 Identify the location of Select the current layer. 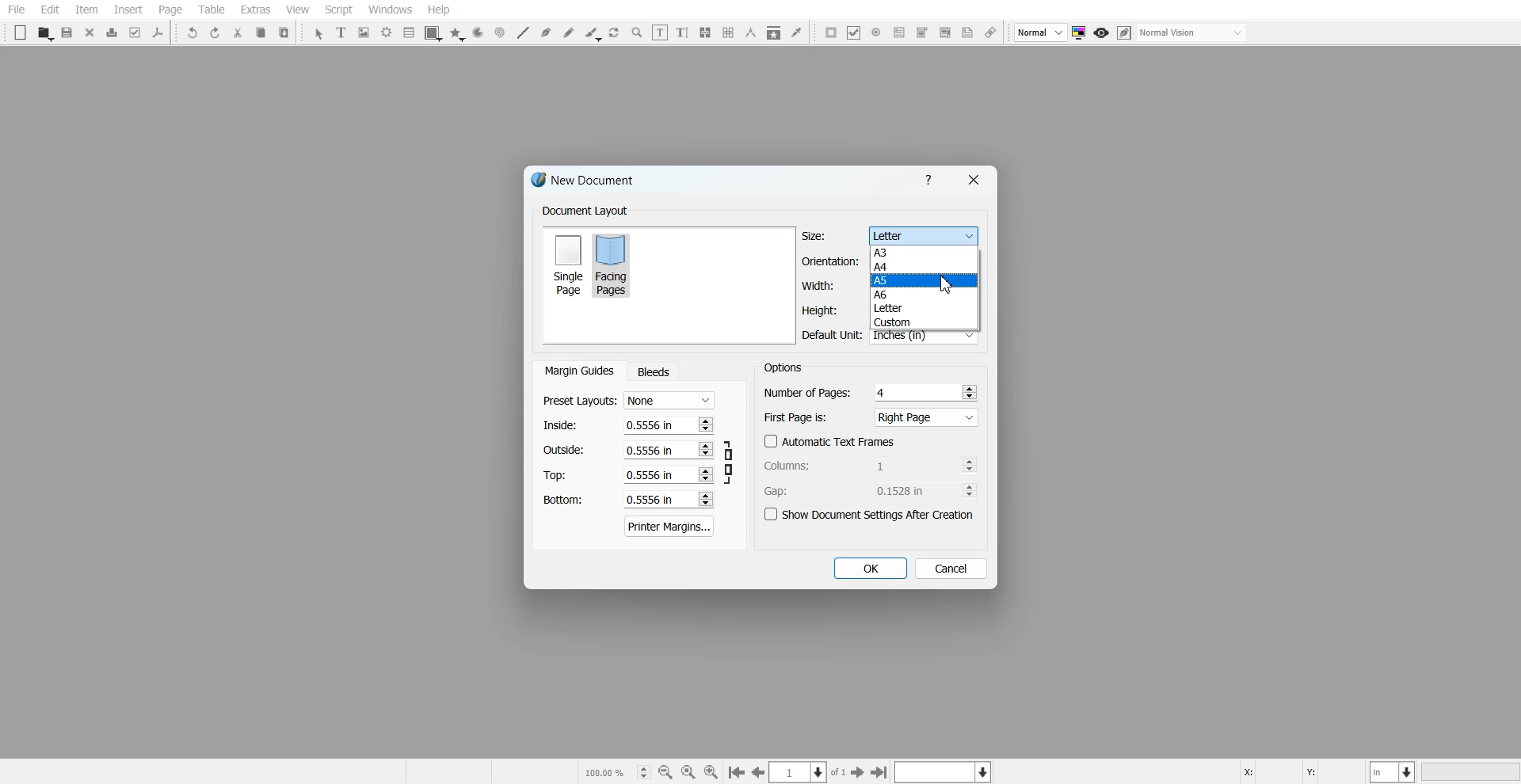
(945, 771).